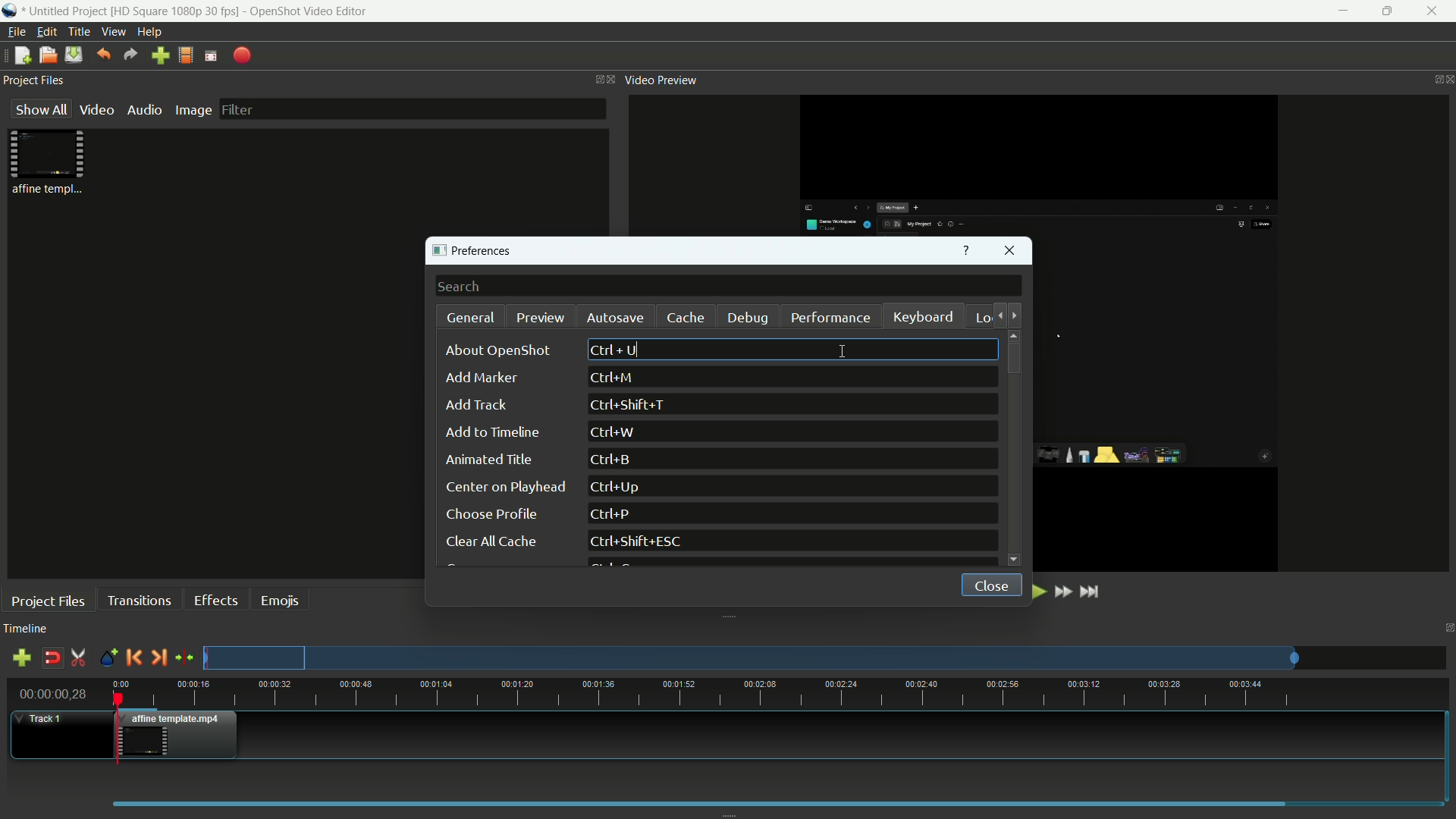 The width and height of the screenshot is (1456, 819). What do you see at coordinates (11, 12) in the screenshot?
I see `app icon` at bounding box center [11, 12].